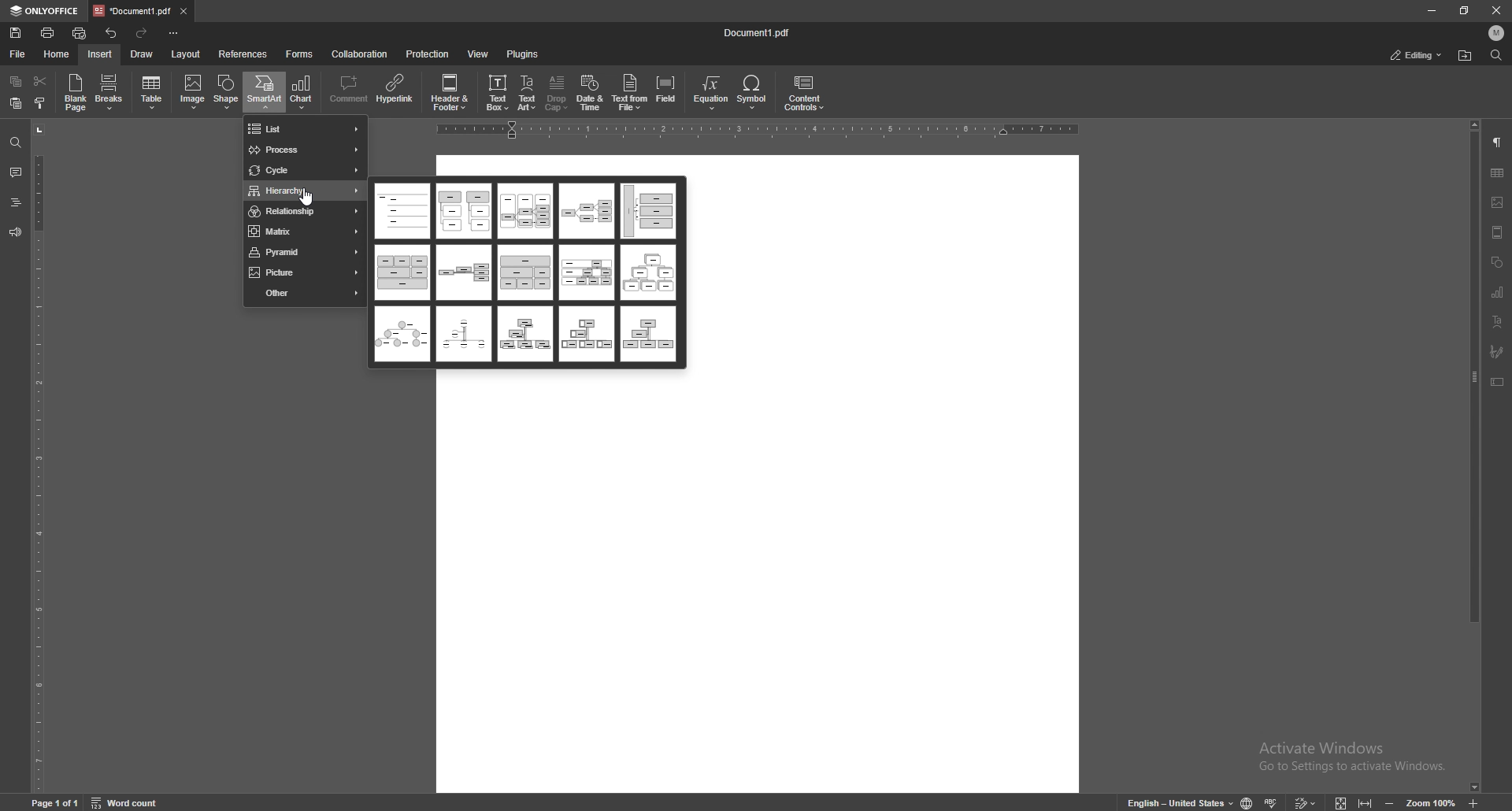  What do you see at coordinates (428, 54) in the screenshot?
I see `protection` at bounding box center [428, 54].